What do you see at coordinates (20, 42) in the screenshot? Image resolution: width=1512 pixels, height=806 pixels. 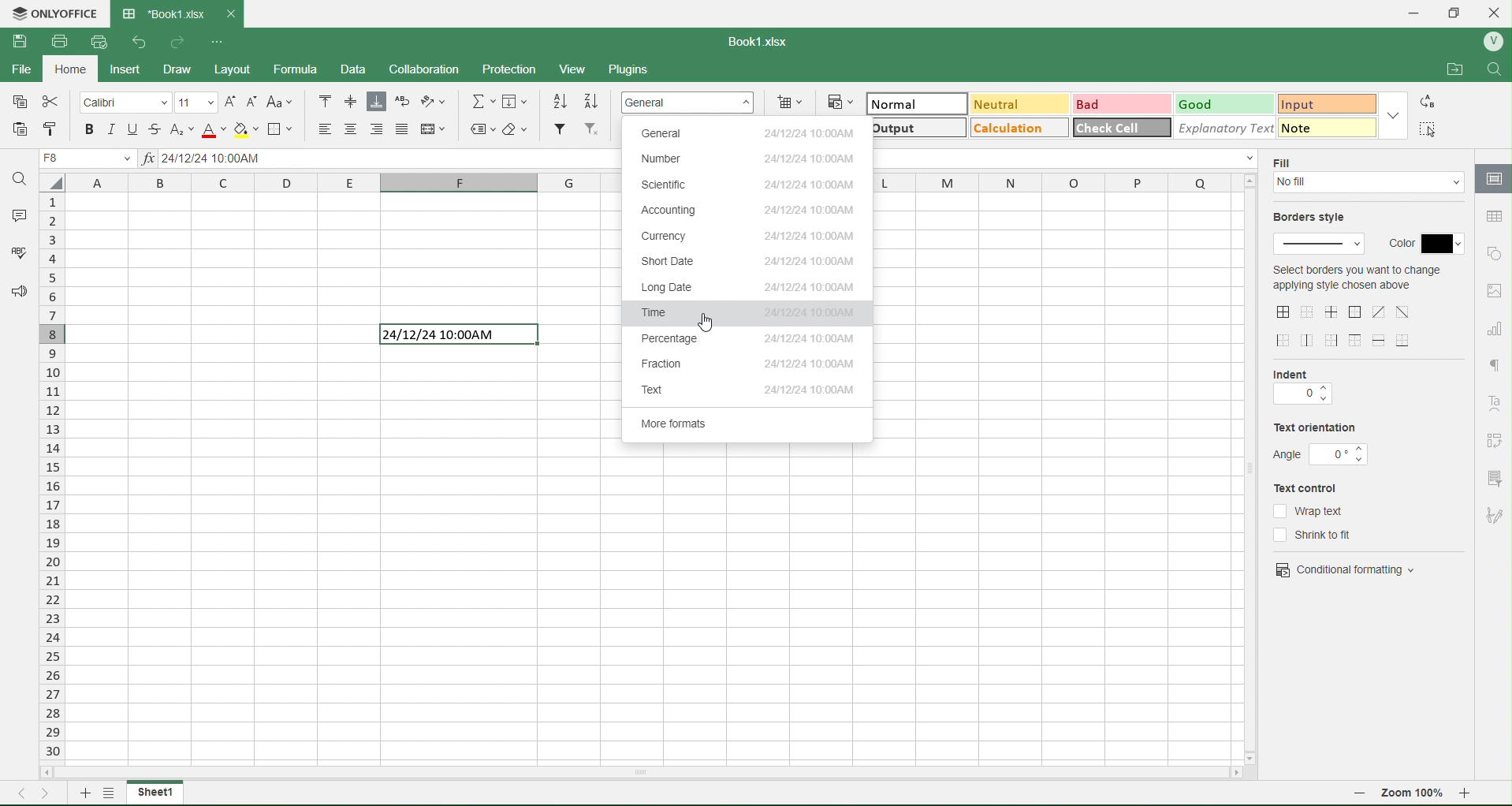 I see `Save` at bounding box center [20, 42].